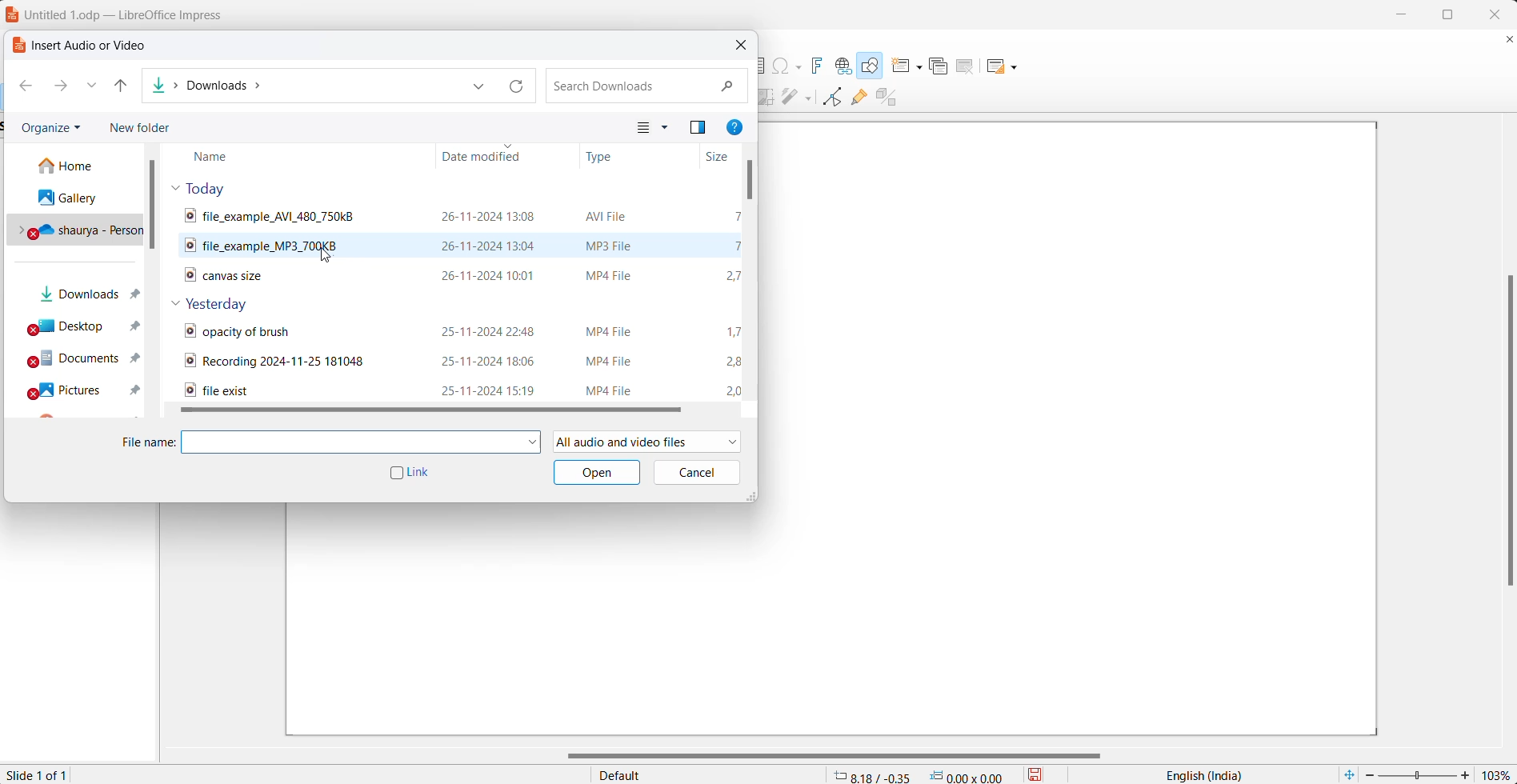 The image size is (1517, 784). What do you see at coordinates (668, 128) in the screenshot?
I see `more options` at bounding box center [668, 128].